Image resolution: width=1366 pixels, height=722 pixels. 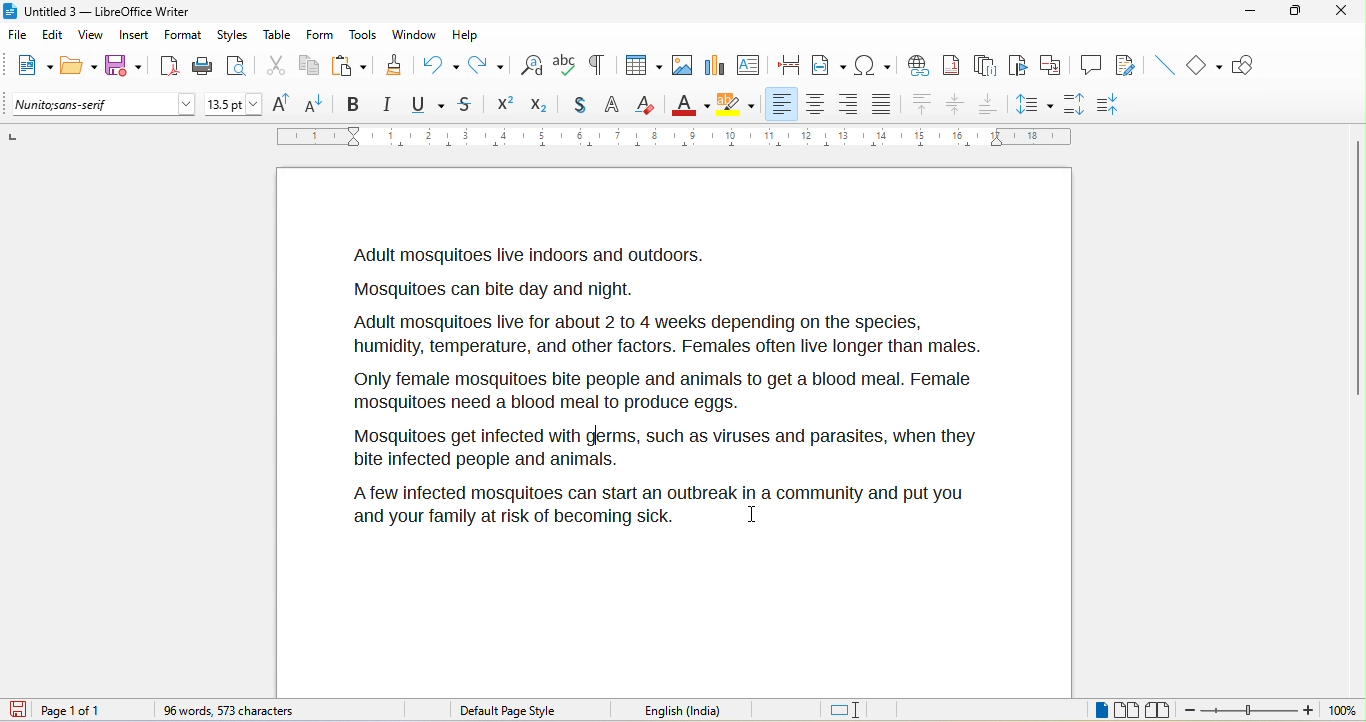 What do you see at coordinates (509, 710) in the screenshot?
I see `default page style` at bounding box center [509, 710].